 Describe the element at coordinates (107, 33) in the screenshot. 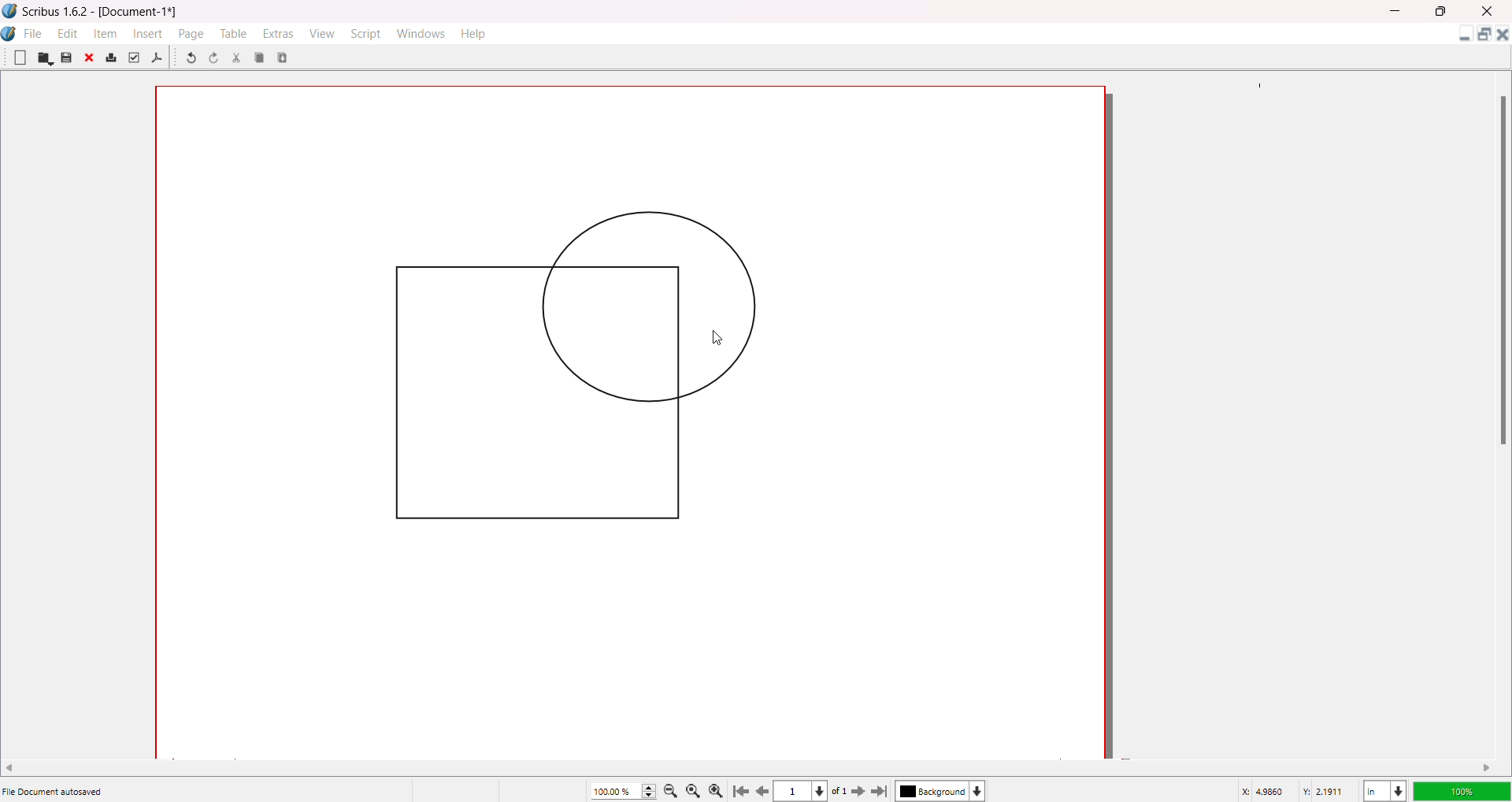

I see `Item` at that location.